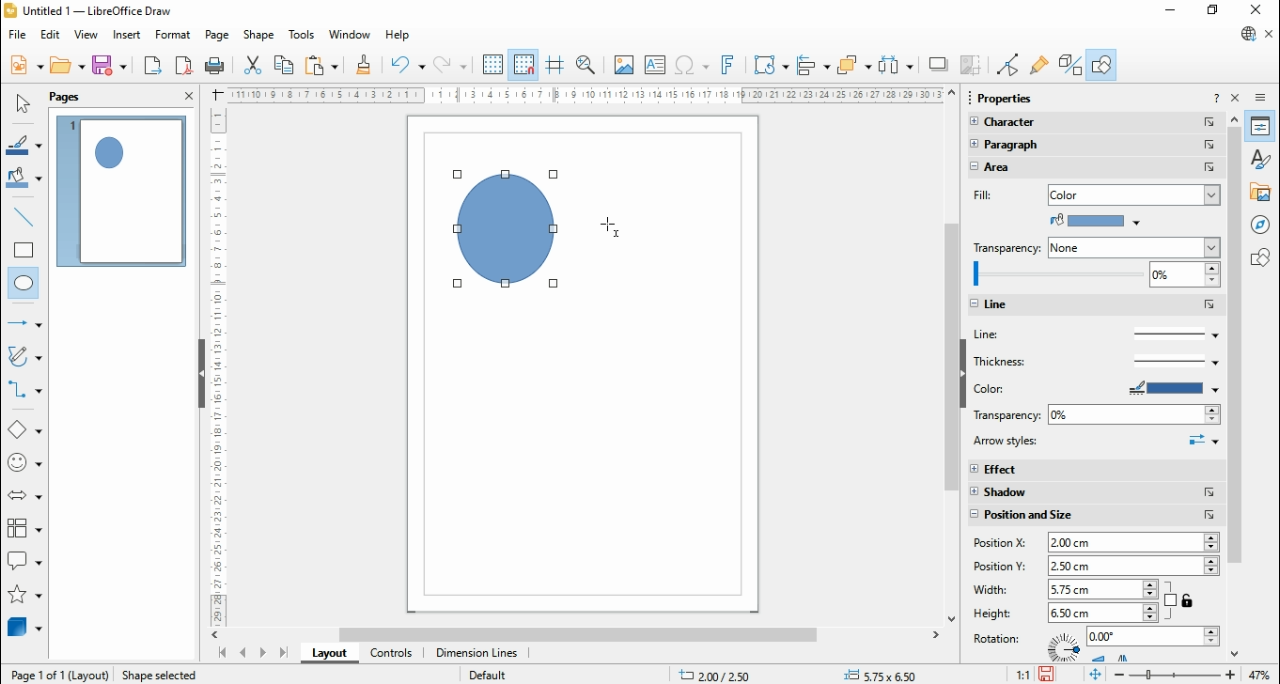 The height and width of the screenshot is (684, 1280). What do you see at coordinates (1247, 33) in the screenshot?
I see `libre office update` at bounding box center [1247, 33].